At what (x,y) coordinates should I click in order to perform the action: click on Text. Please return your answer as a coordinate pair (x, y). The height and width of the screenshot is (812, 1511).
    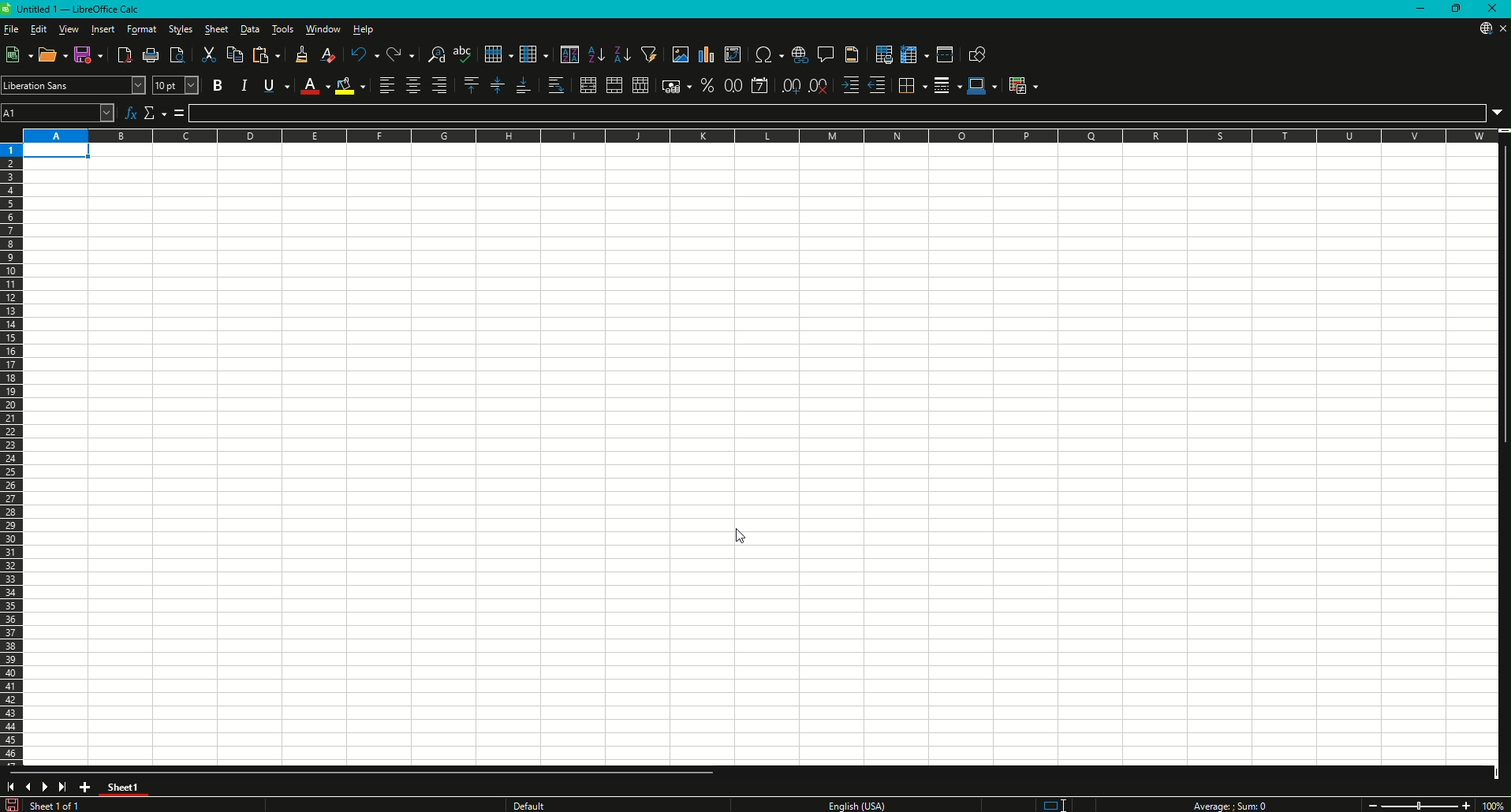
    Looking at the image, I should click on (58, 805).